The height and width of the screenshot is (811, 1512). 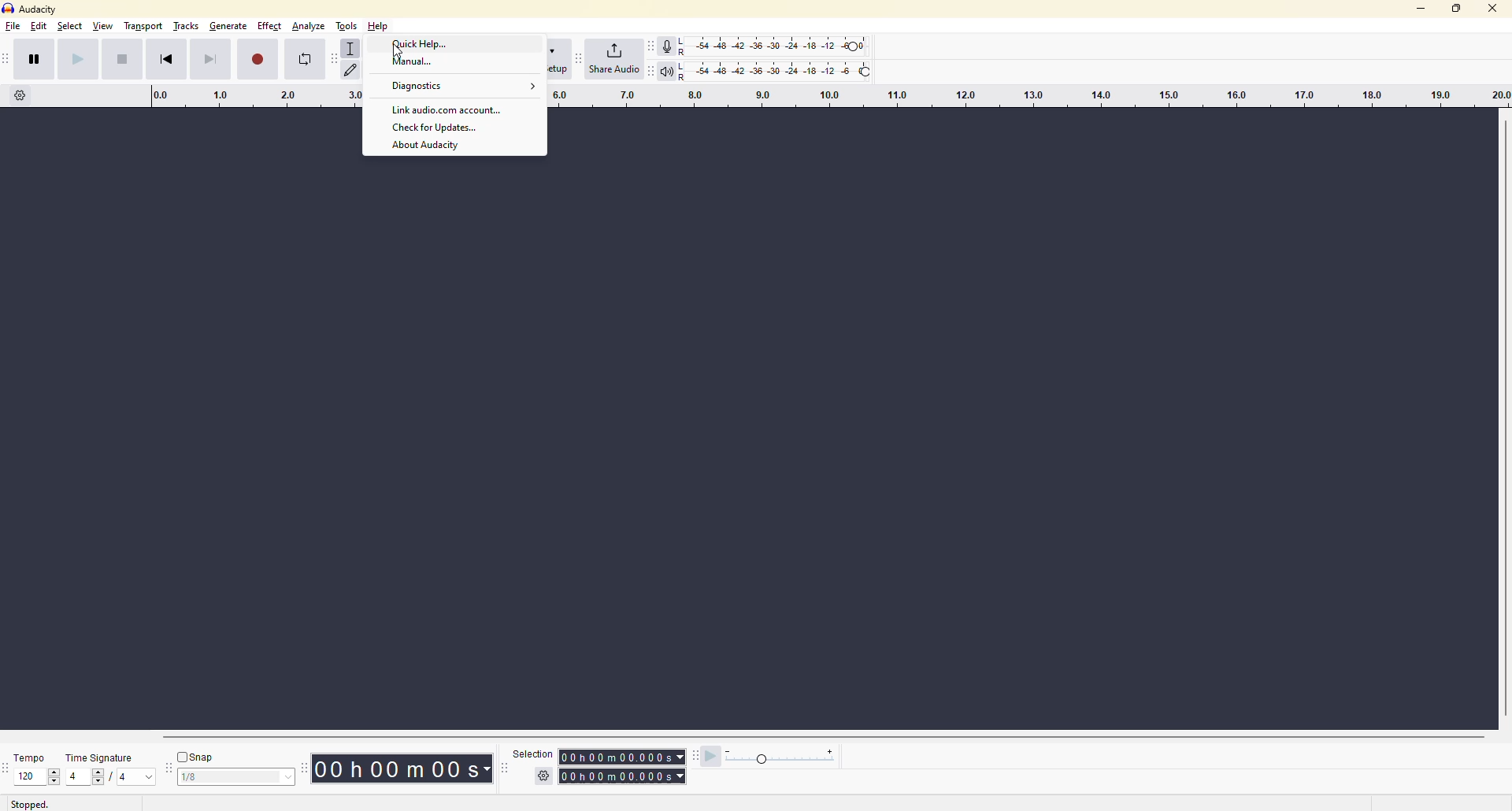 I want to click on play, so click(x=78, y=58).